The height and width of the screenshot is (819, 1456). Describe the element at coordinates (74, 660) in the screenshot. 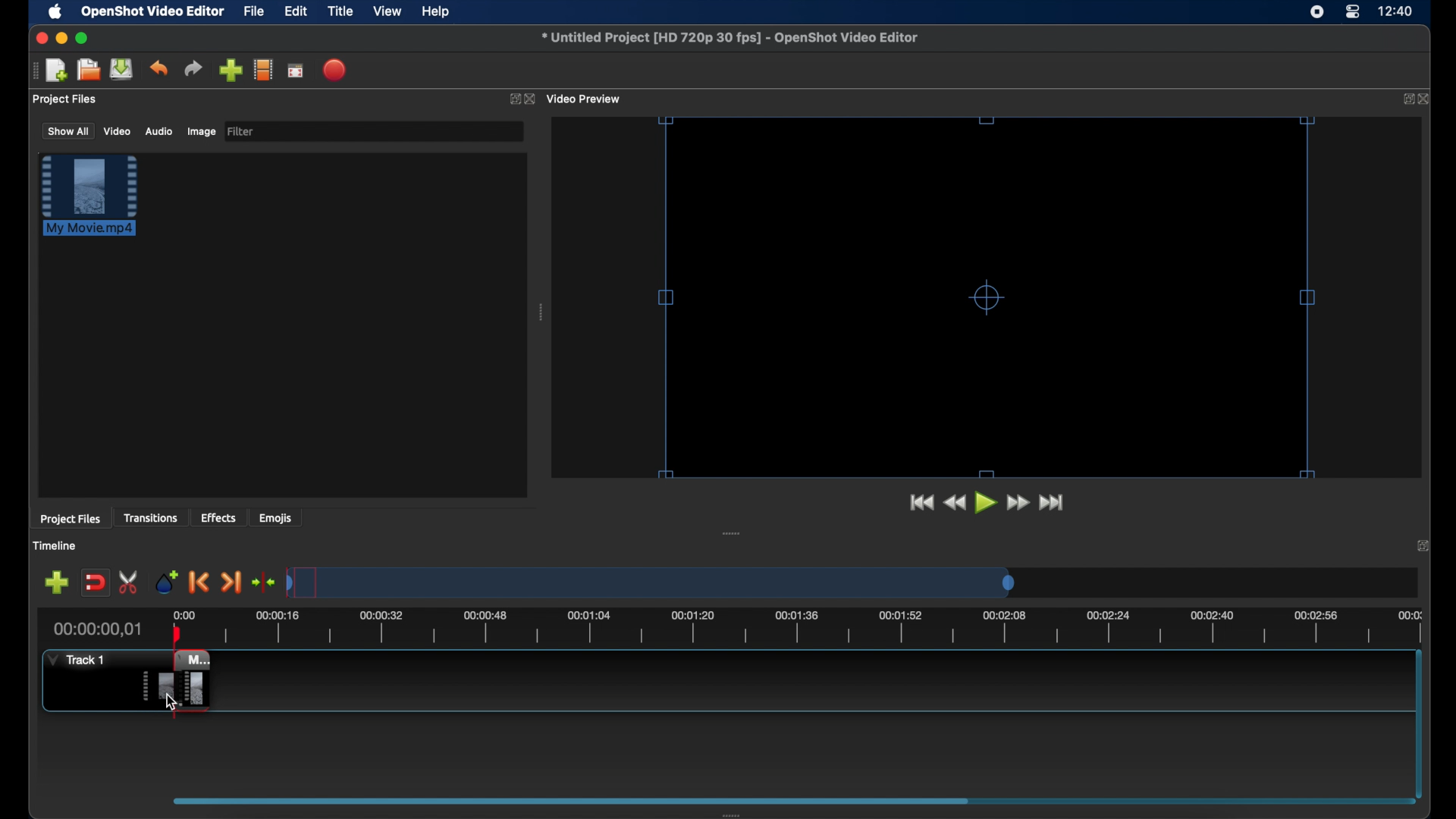

I see `track 1` at that location.